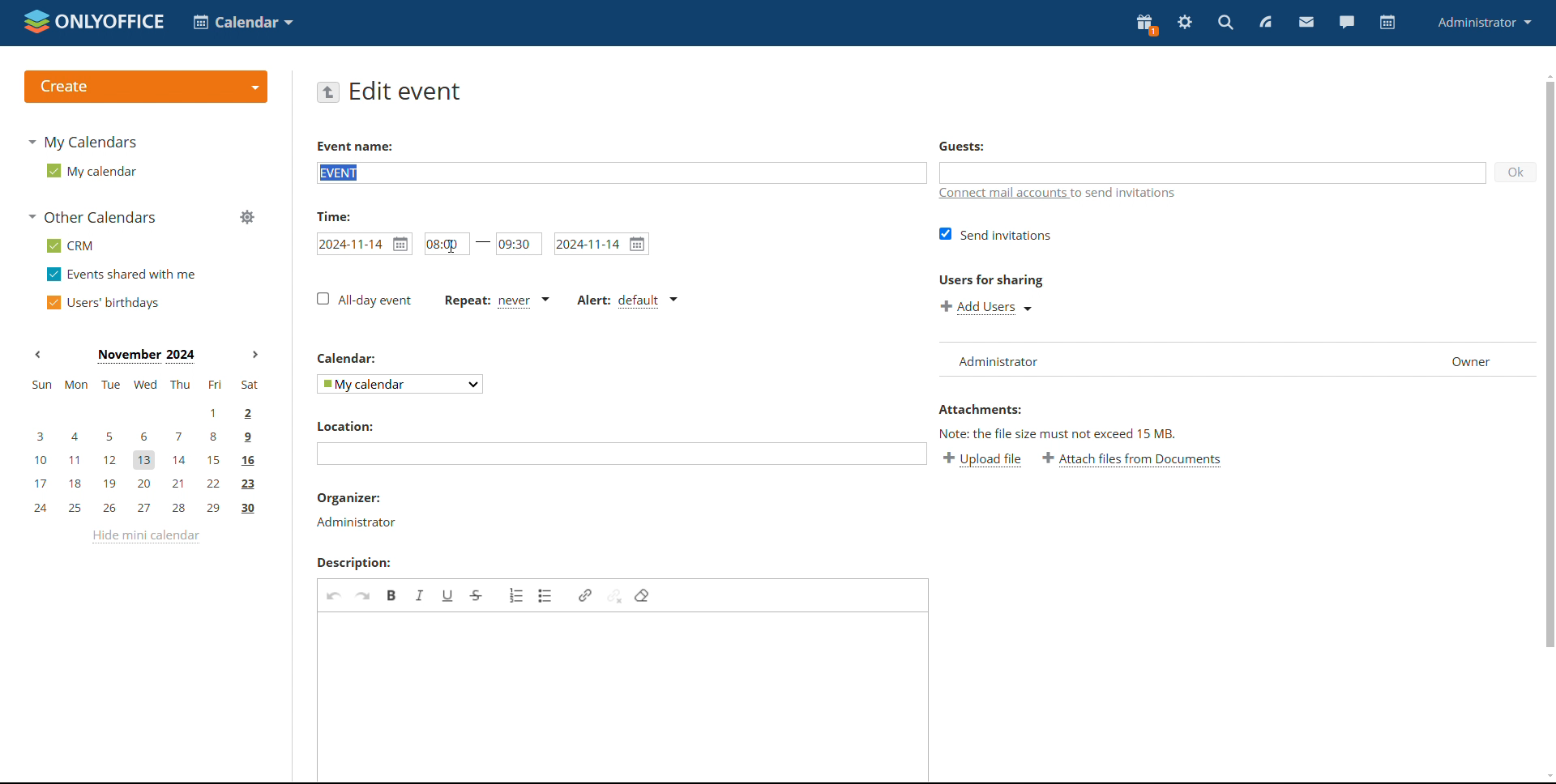  Describe the element at coordinates (95, 23) in the screenshot. I see `logo` at that location.